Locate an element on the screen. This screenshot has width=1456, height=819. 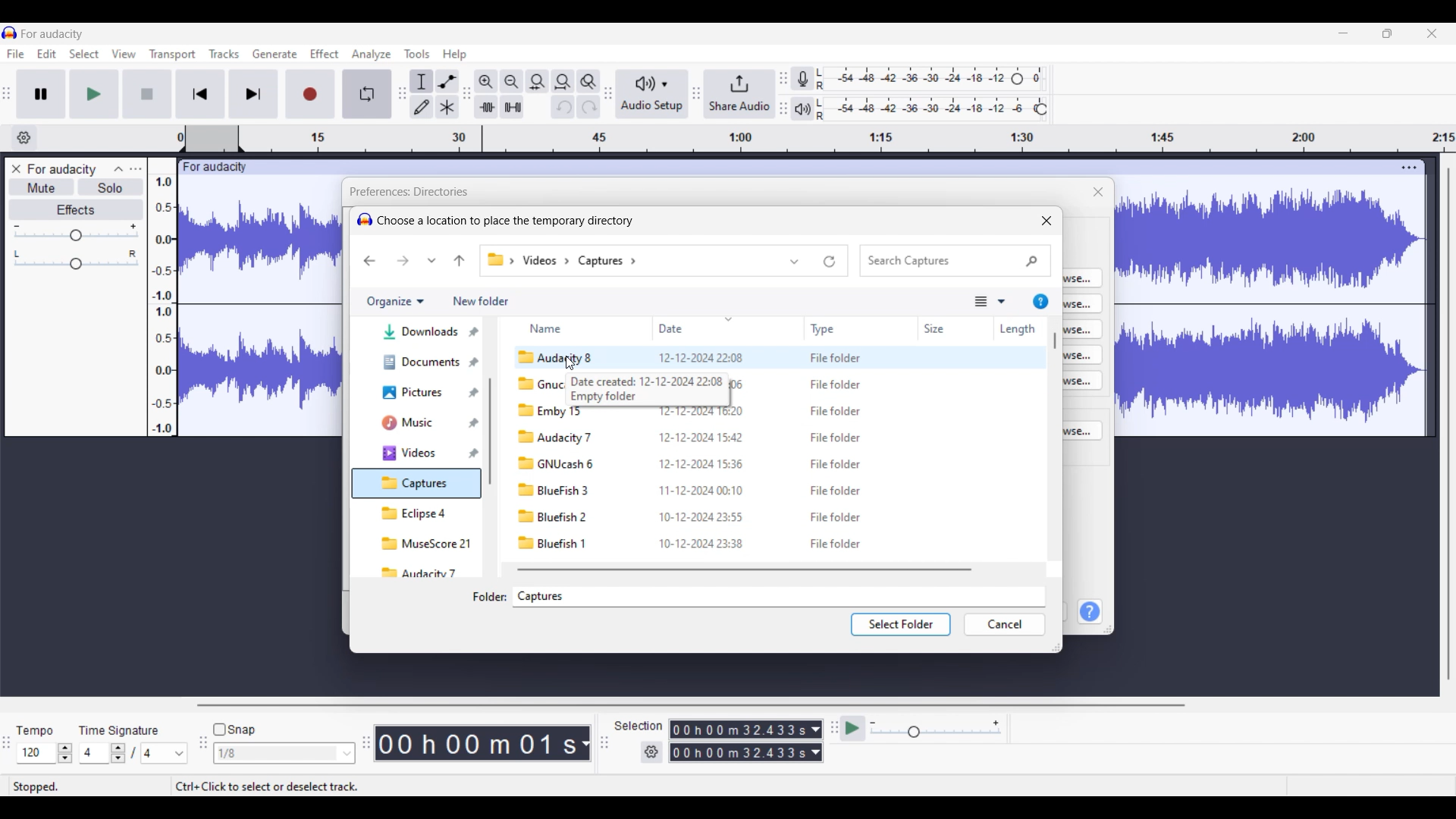
Skip/Select to start is located at coordinates (200, 94).